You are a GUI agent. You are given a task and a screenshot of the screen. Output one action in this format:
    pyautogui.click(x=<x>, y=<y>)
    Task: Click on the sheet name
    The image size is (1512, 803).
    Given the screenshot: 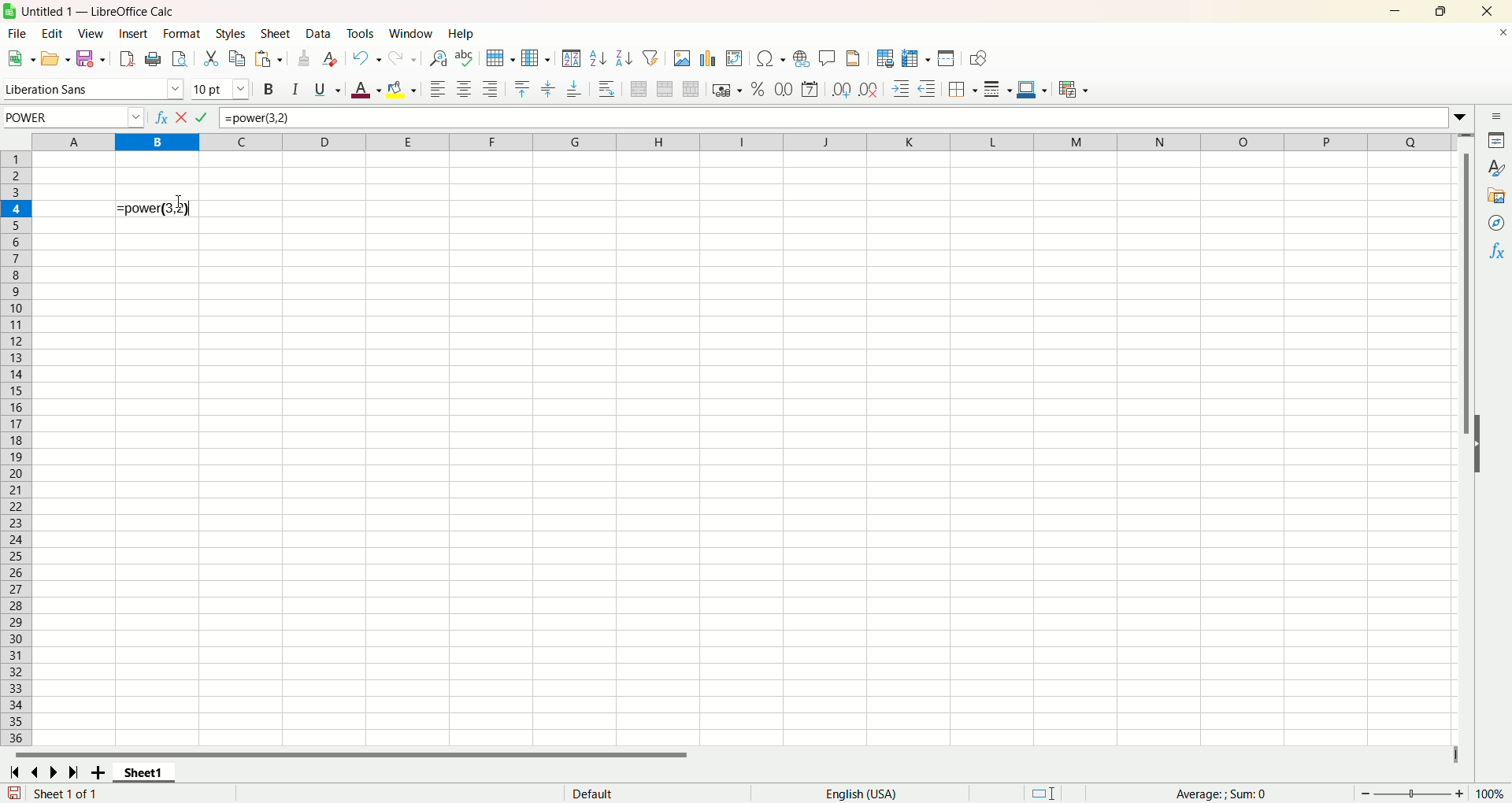 What is the action you would take?
    pyautogui.click(x=150, y=773)
    